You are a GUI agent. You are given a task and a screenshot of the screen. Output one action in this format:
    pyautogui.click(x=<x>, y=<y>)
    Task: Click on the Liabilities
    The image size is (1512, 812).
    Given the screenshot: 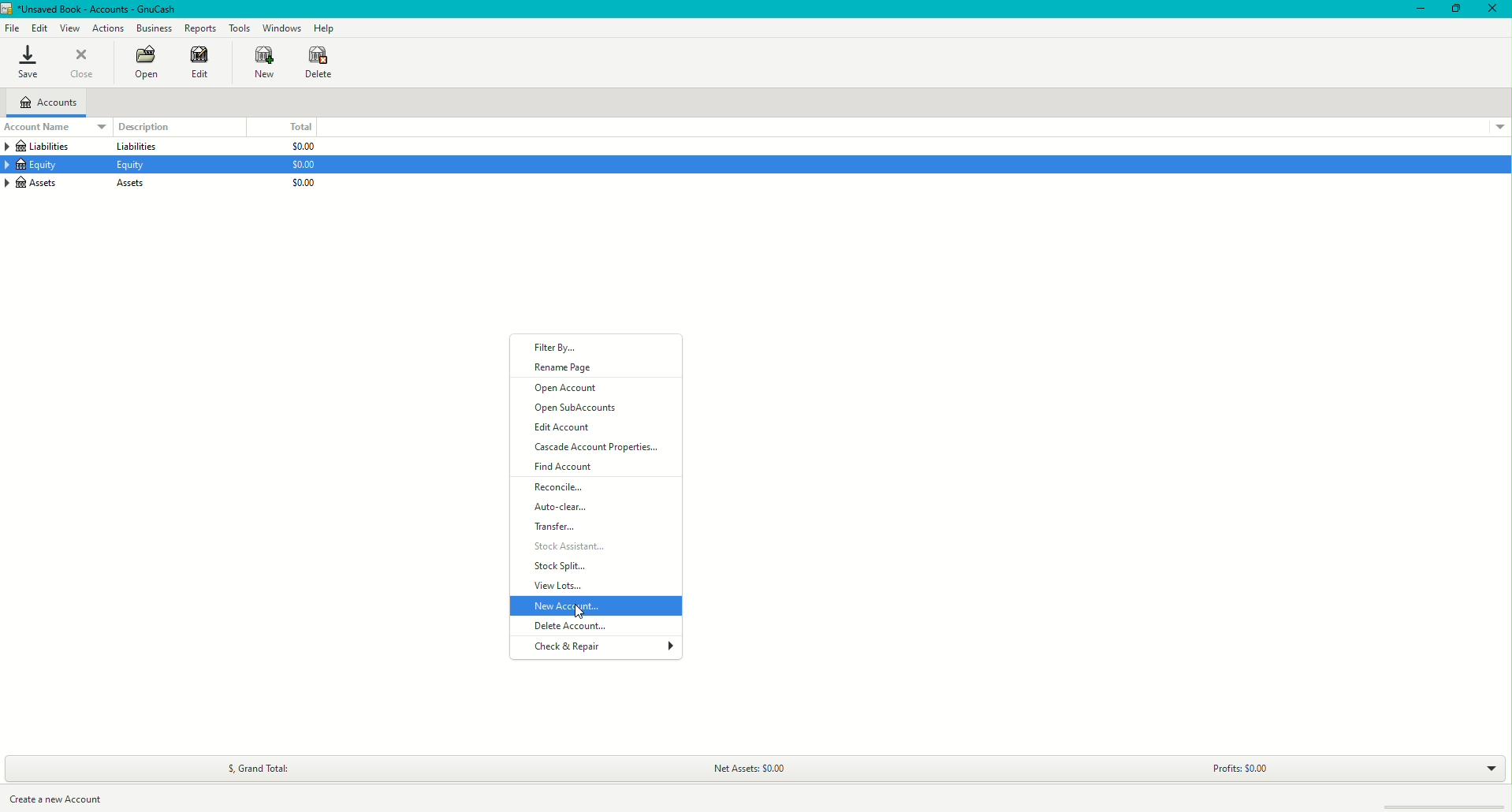 What is the action you would take?
    pyautogui.click(x=134, y=147)
    